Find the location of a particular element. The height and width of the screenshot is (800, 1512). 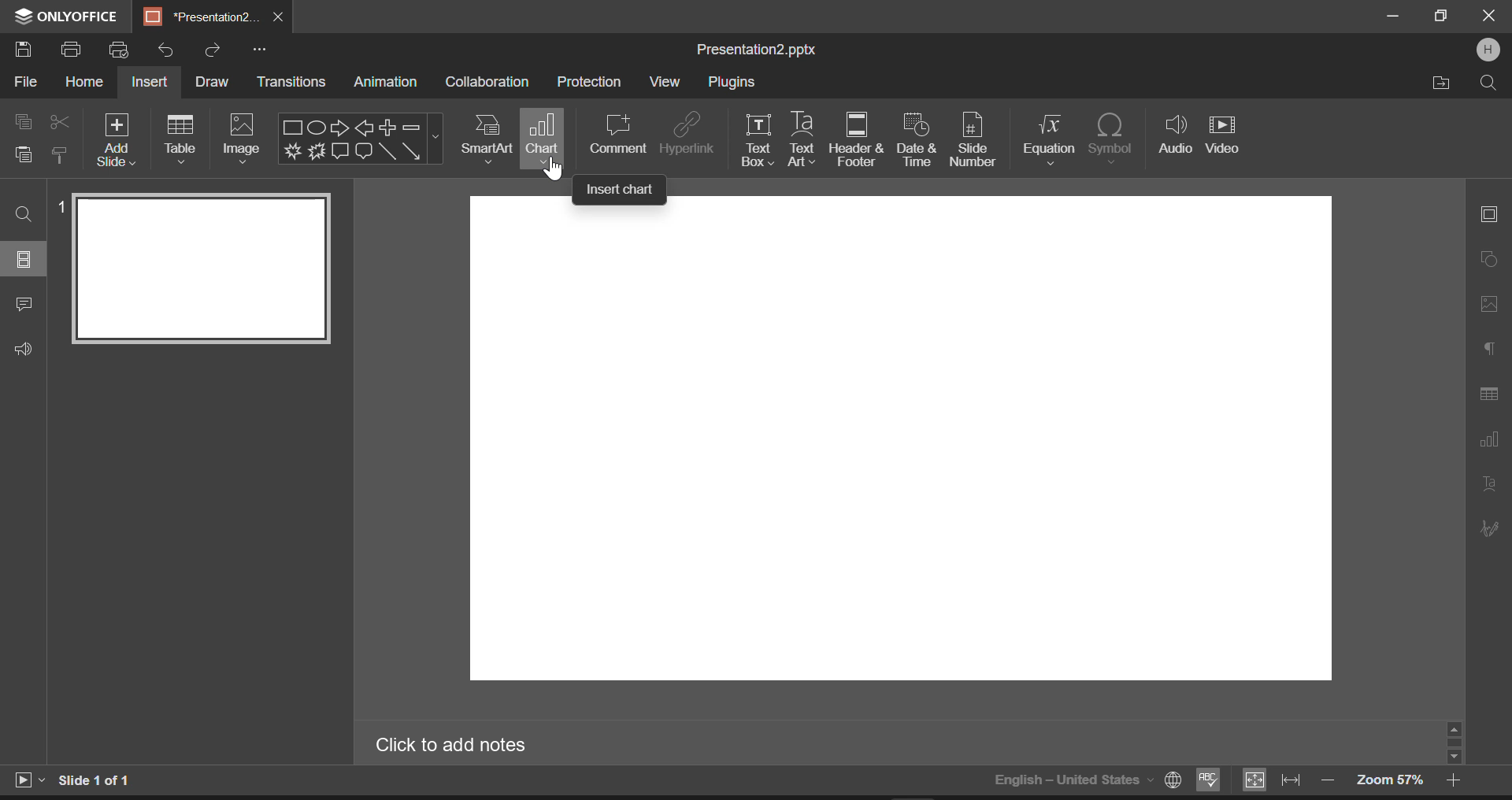

Shapes Menu is located at coordinates (435, 138).